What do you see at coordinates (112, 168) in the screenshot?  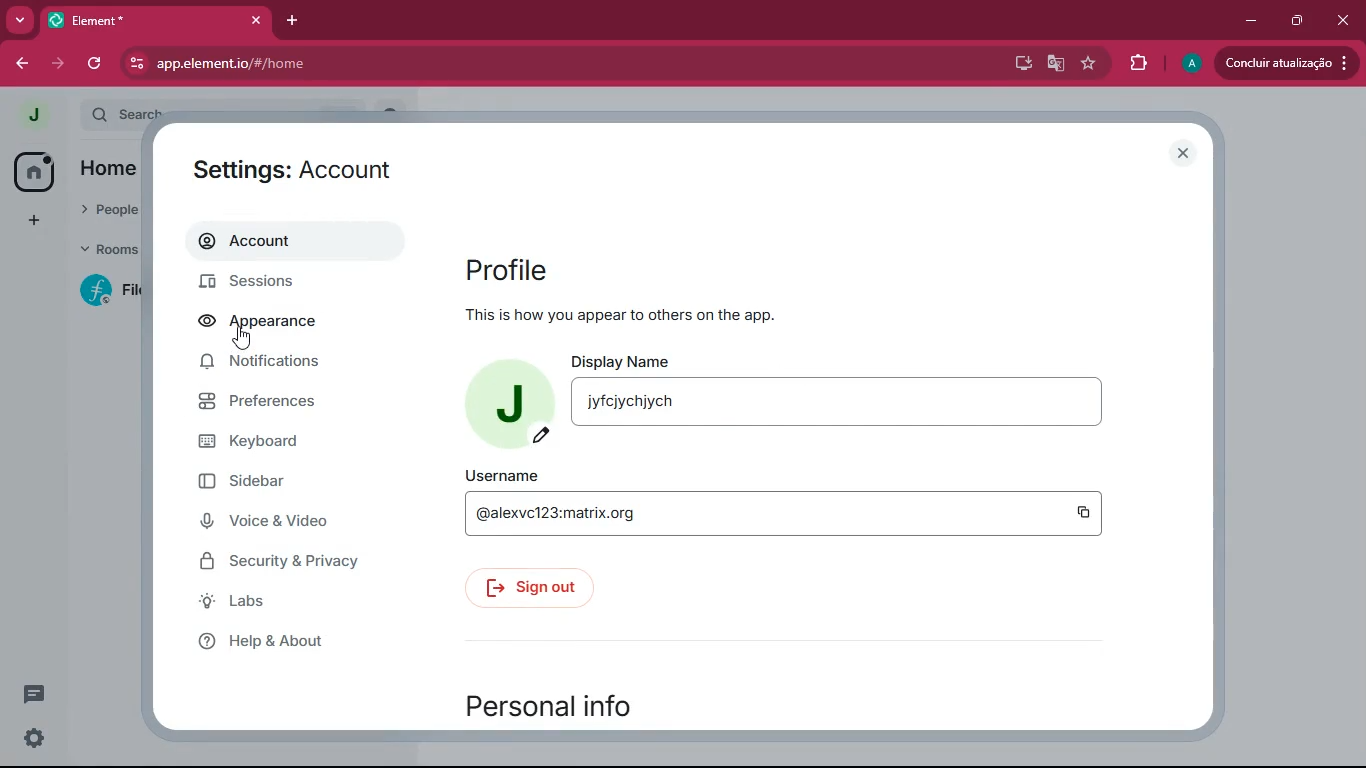 I see `home` at bounding box center [112, 168].